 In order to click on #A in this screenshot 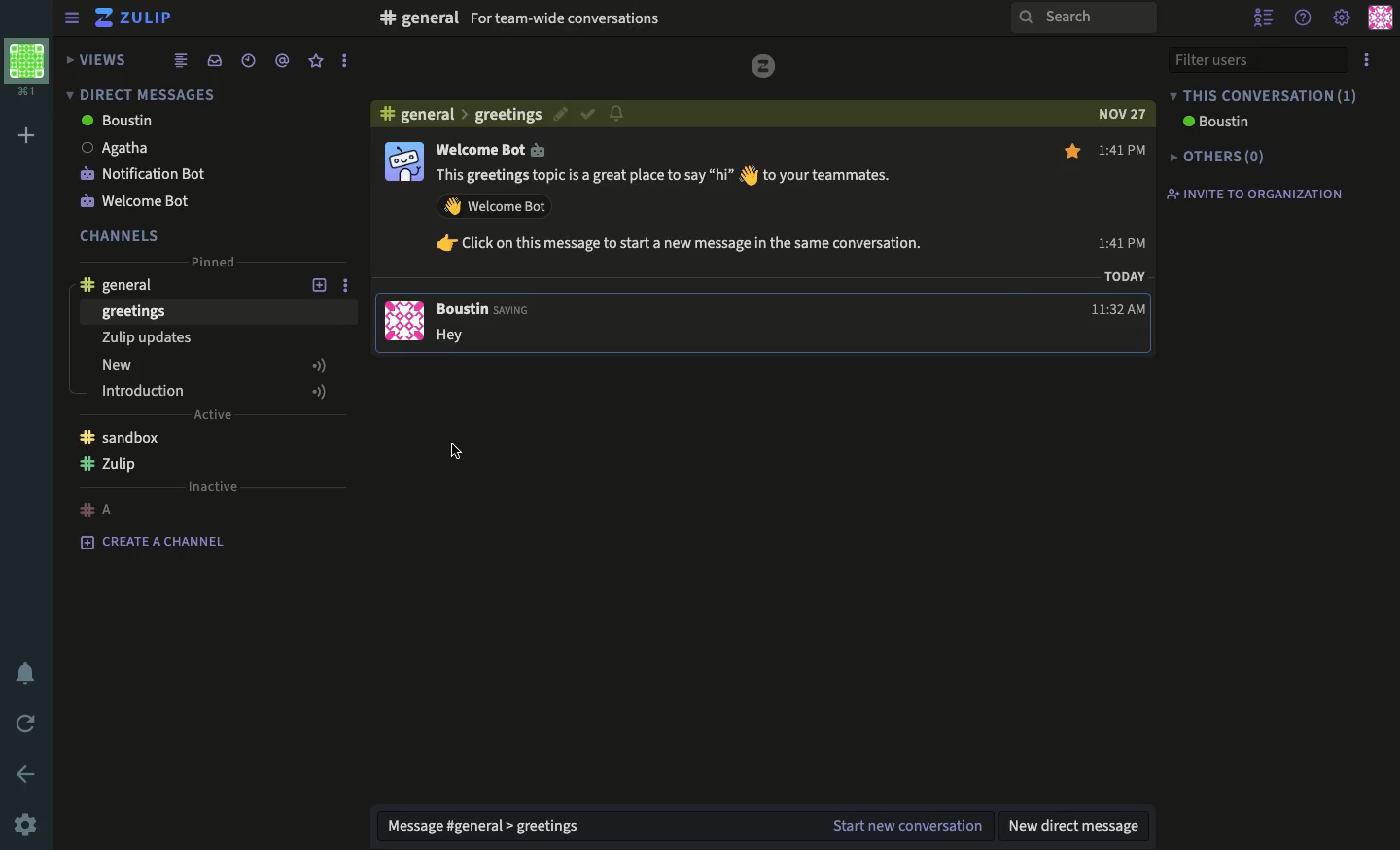, I will do `click(98, 509)`.